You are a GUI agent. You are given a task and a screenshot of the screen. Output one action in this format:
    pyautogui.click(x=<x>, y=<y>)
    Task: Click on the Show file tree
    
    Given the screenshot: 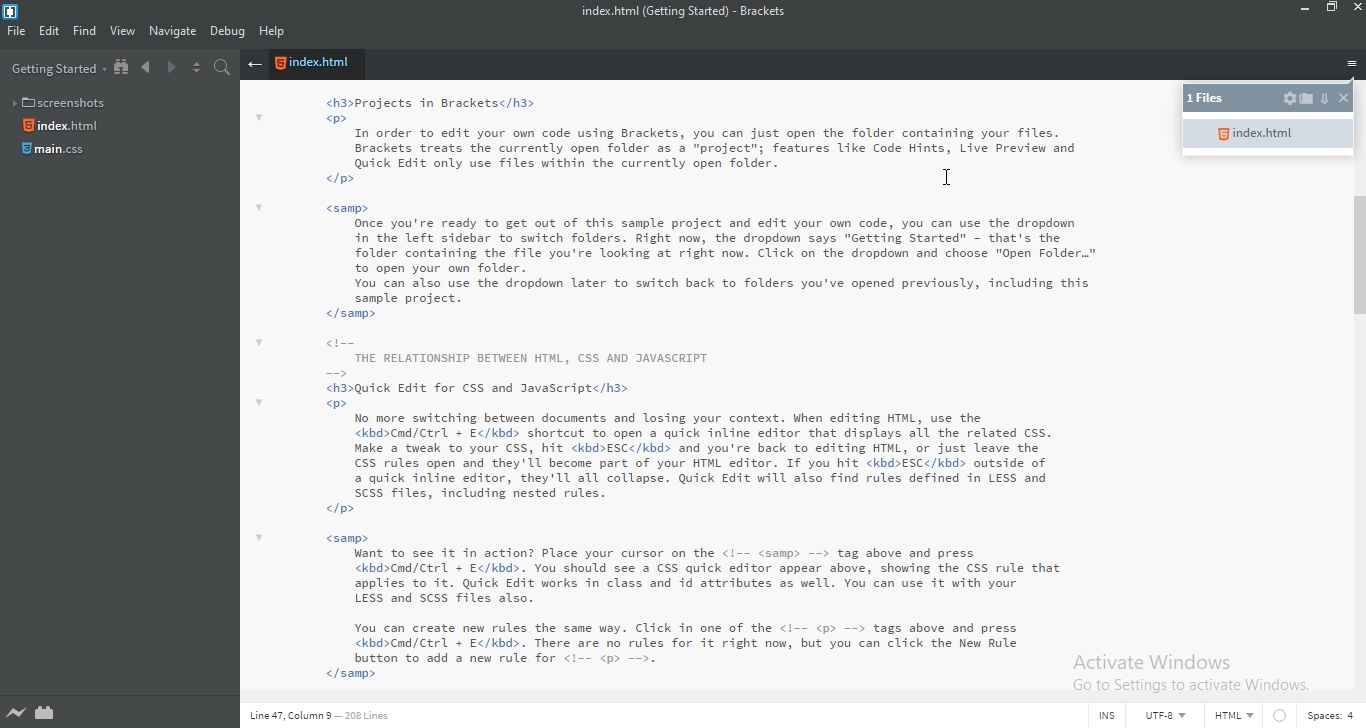 What is the action you would take?
    pyautogui.click(x=123, y=68)
    